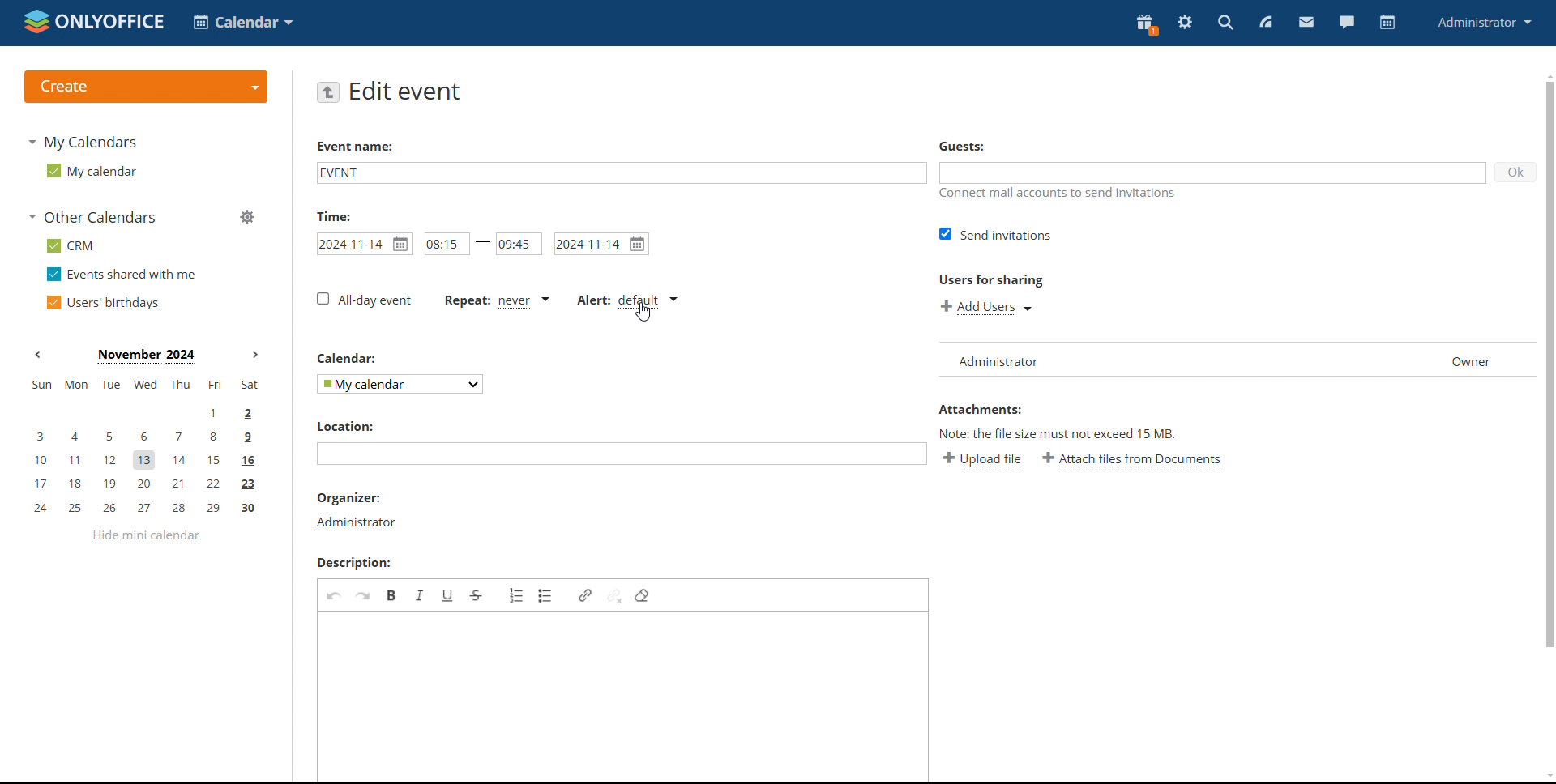 This screenshot has width=1556, height=784. I want to click on go back, so click(329, 92).